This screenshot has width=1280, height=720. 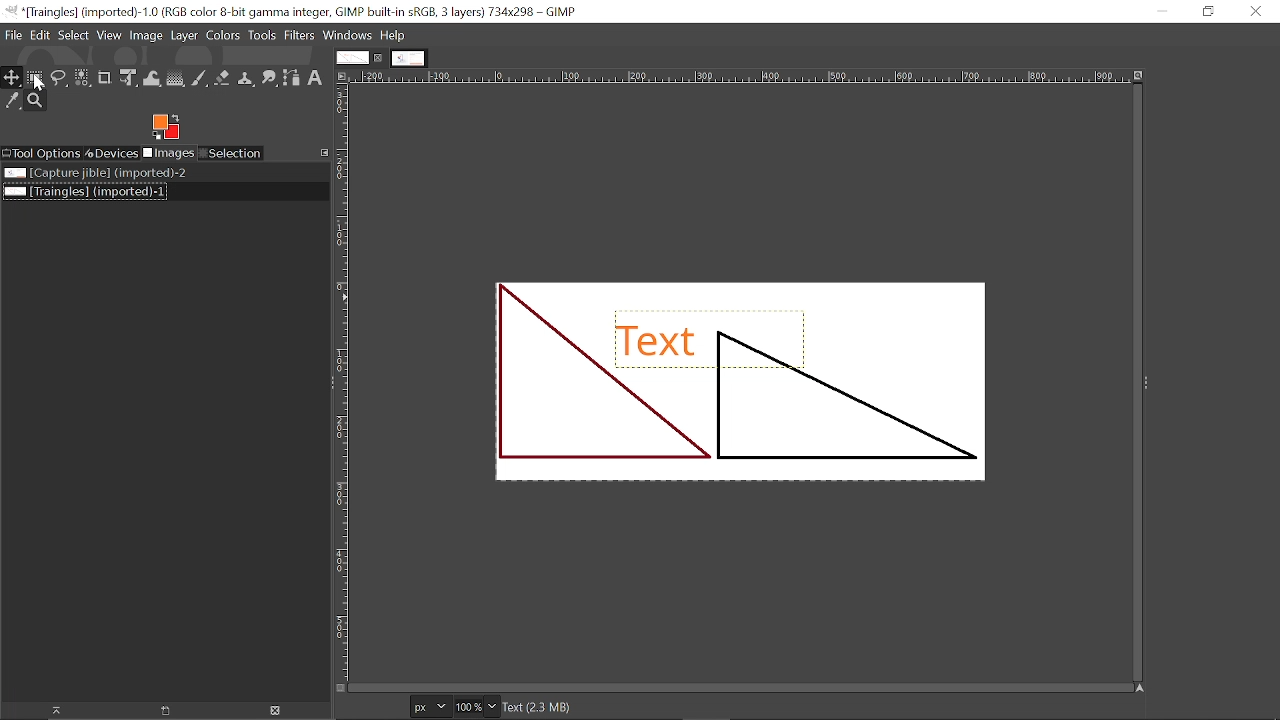 What do you see at coordinates (40, 35) in the screenshot?
I see `Edit` at bounding box center [40, 35].